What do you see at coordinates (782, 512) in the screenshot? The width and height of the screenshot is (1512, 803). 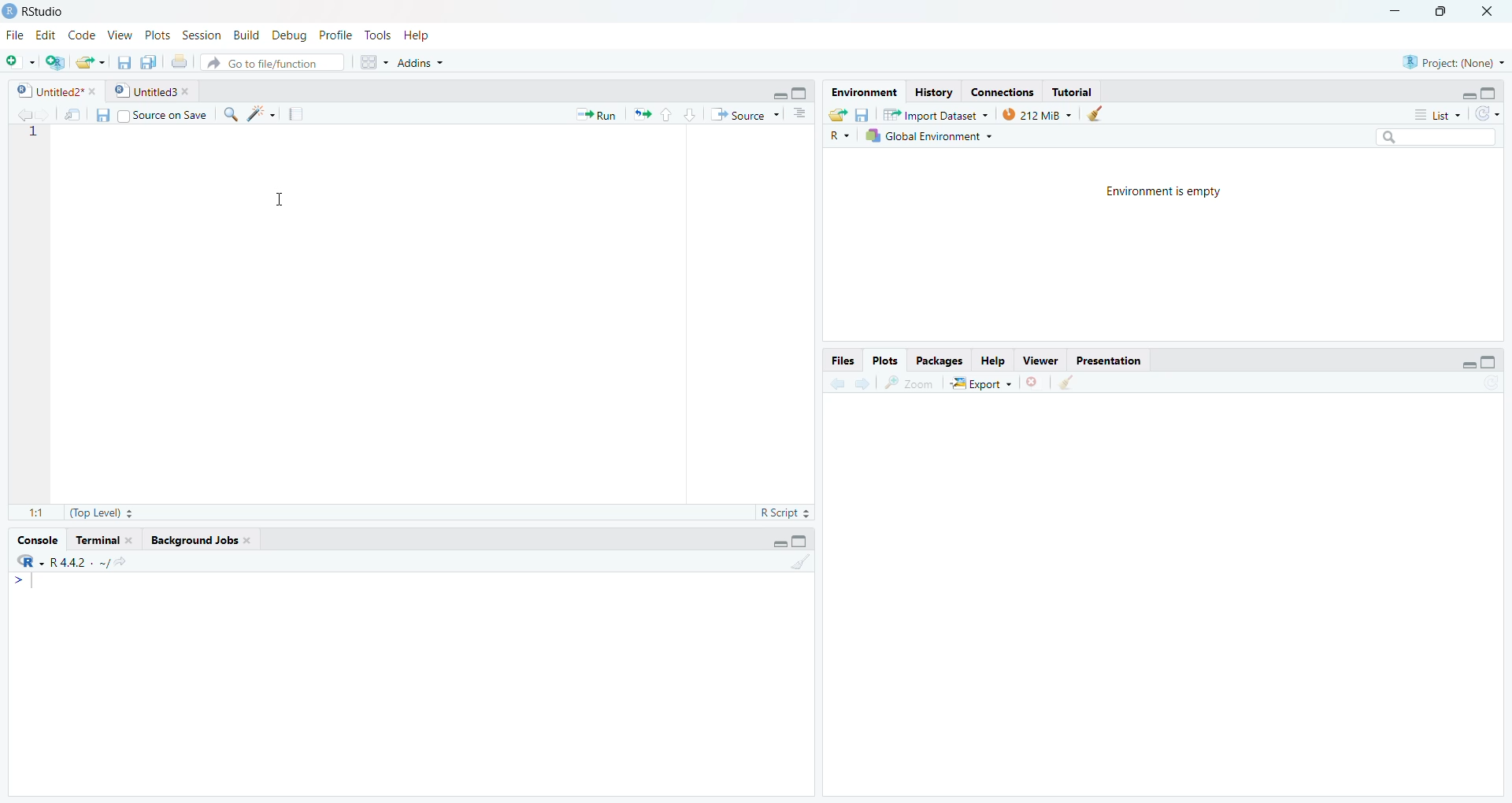 I see `R SCRIPT` at bounding box center [782, 512].